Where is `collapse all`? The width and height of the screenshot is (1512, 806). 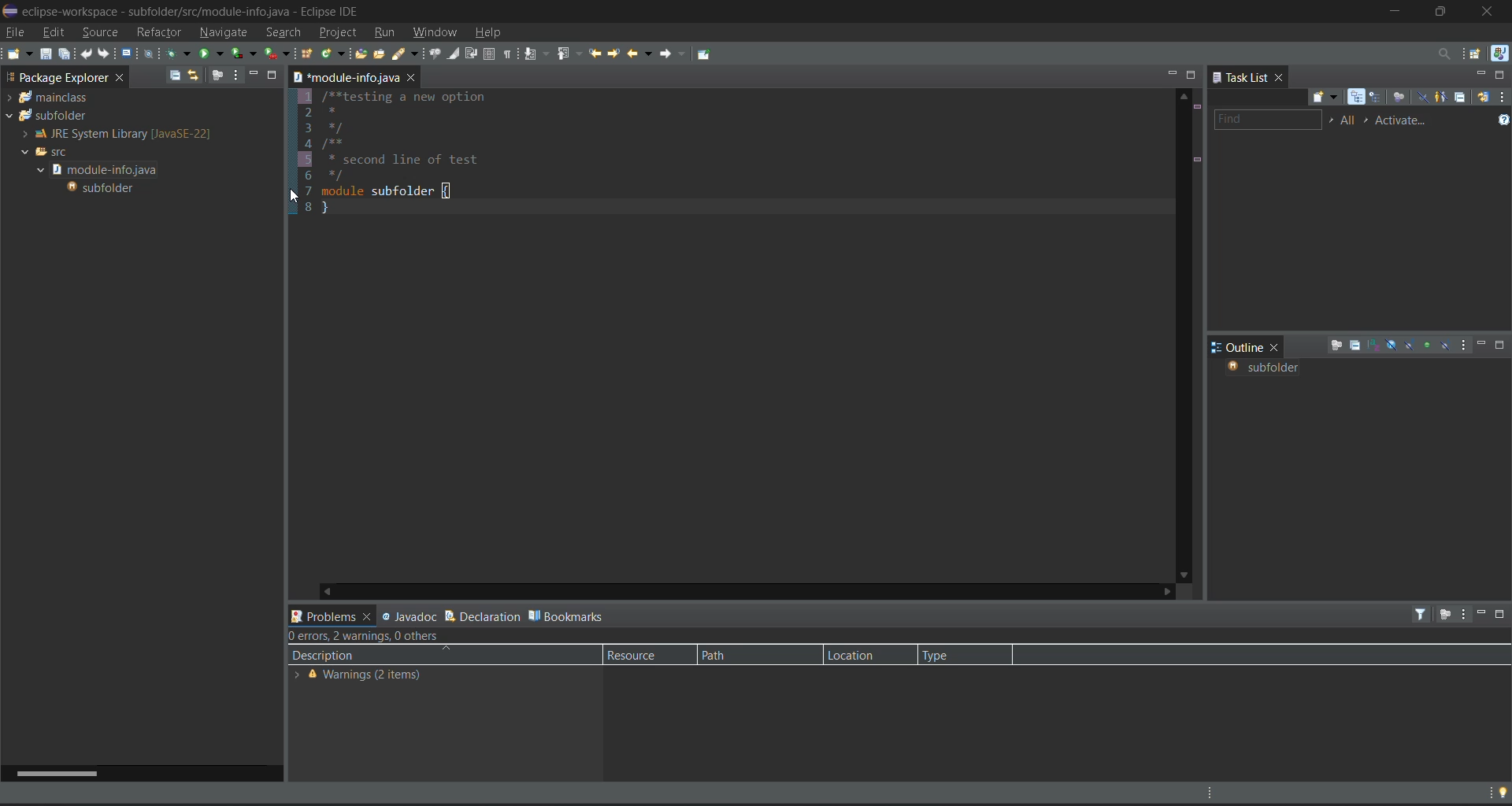
collapse all is located at coordinates (1460, 97).